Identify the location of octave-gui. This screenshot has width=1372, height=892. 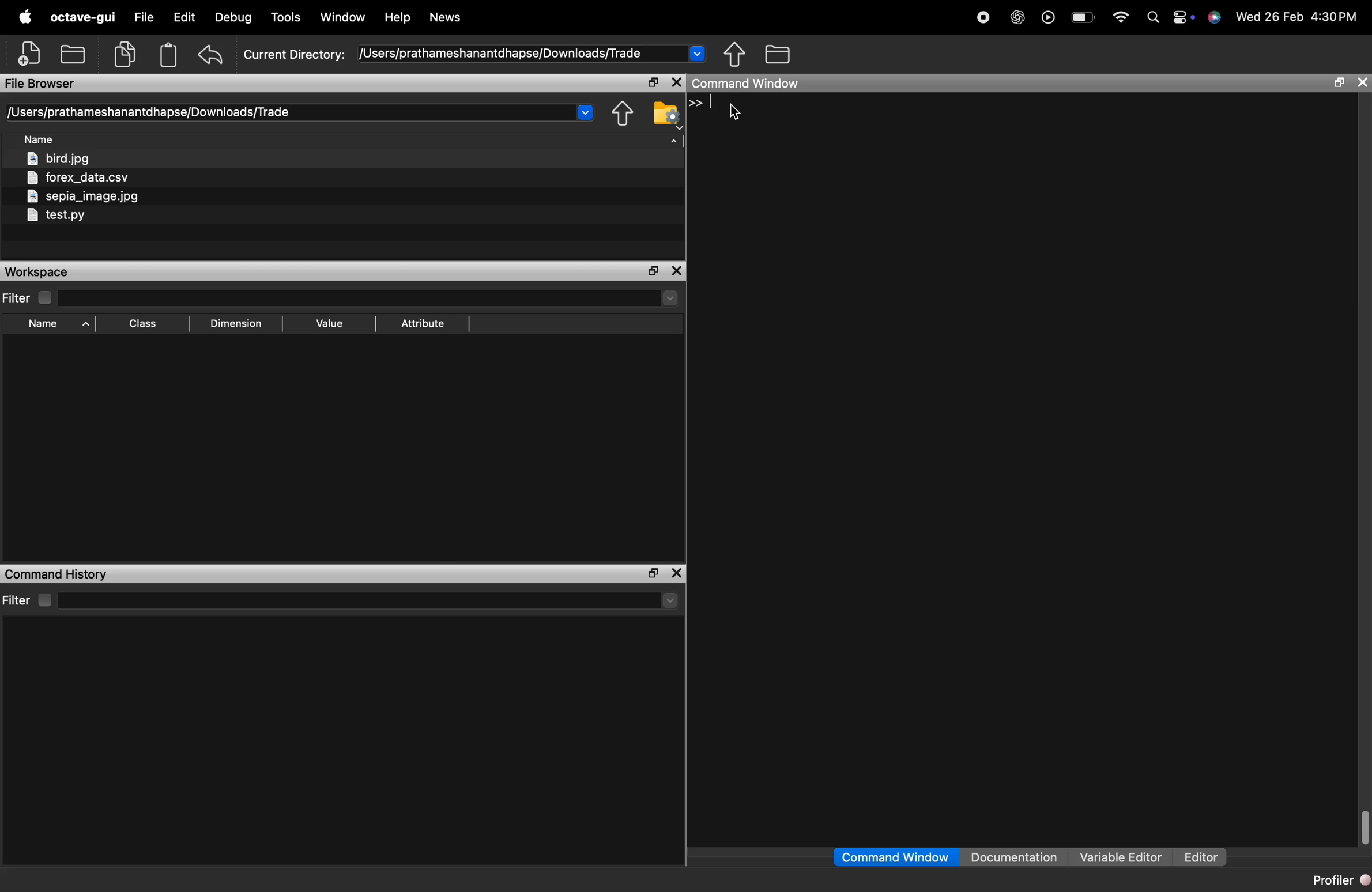
(84, 17).